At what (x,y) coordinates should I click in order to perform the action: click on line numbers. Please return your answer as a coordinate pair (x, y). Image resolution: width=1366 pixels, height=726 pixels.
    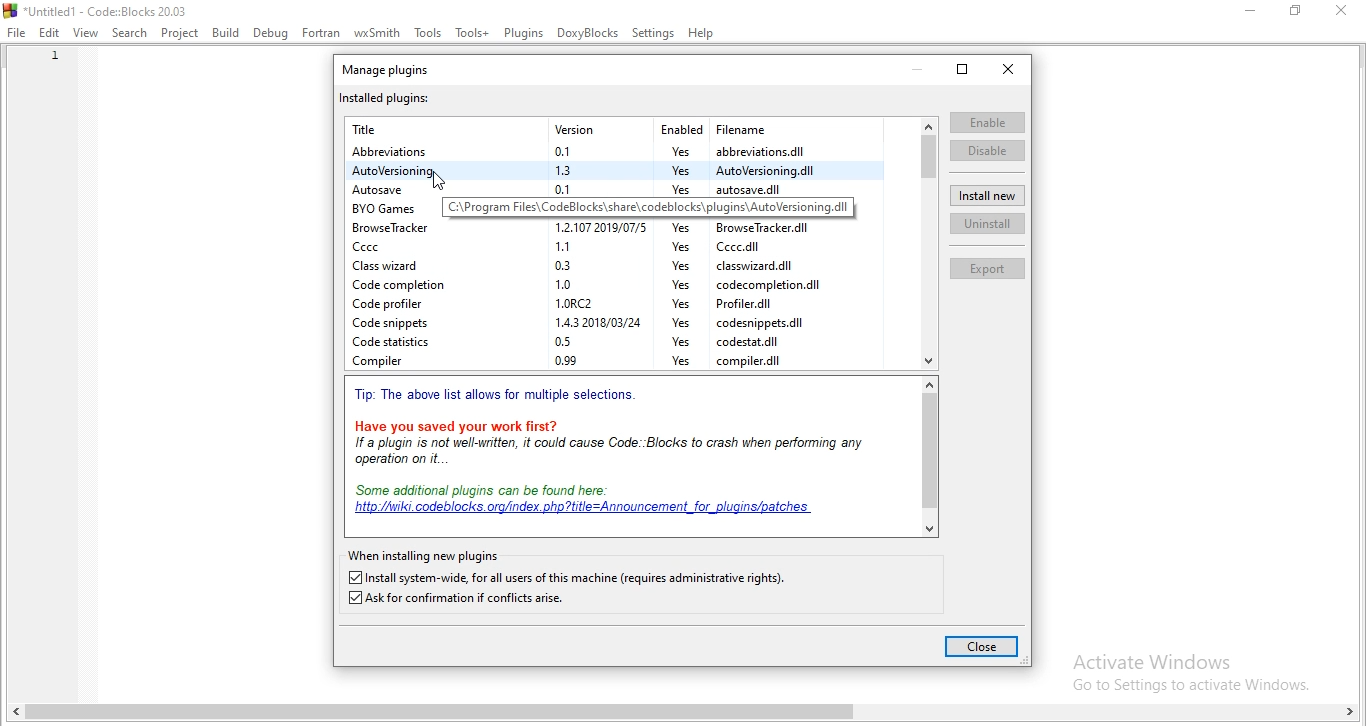
    Looking at the image, I should click on (51, 74).